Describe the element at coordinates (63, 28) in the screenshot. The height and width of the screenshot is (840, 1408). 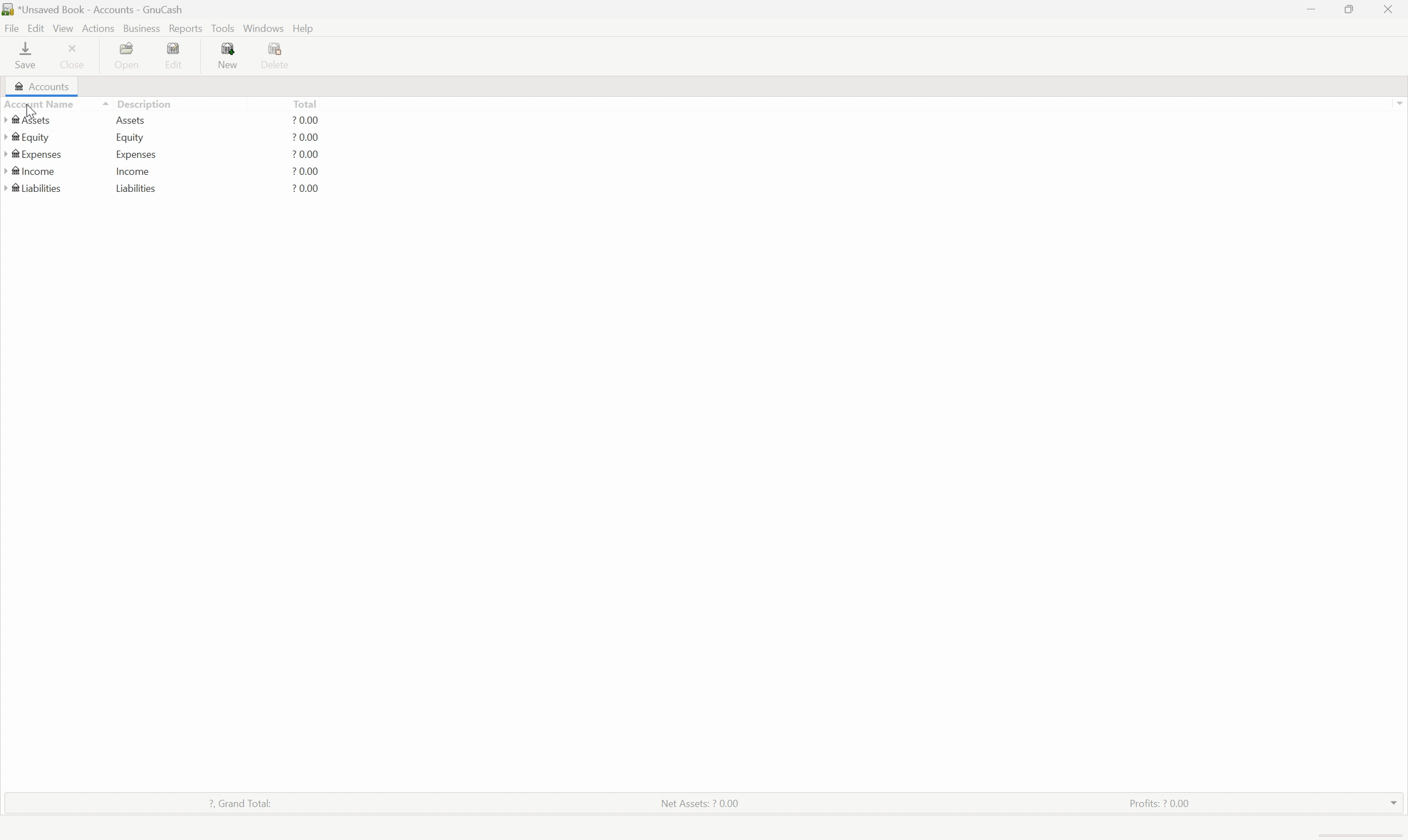
I see `View` at that location.